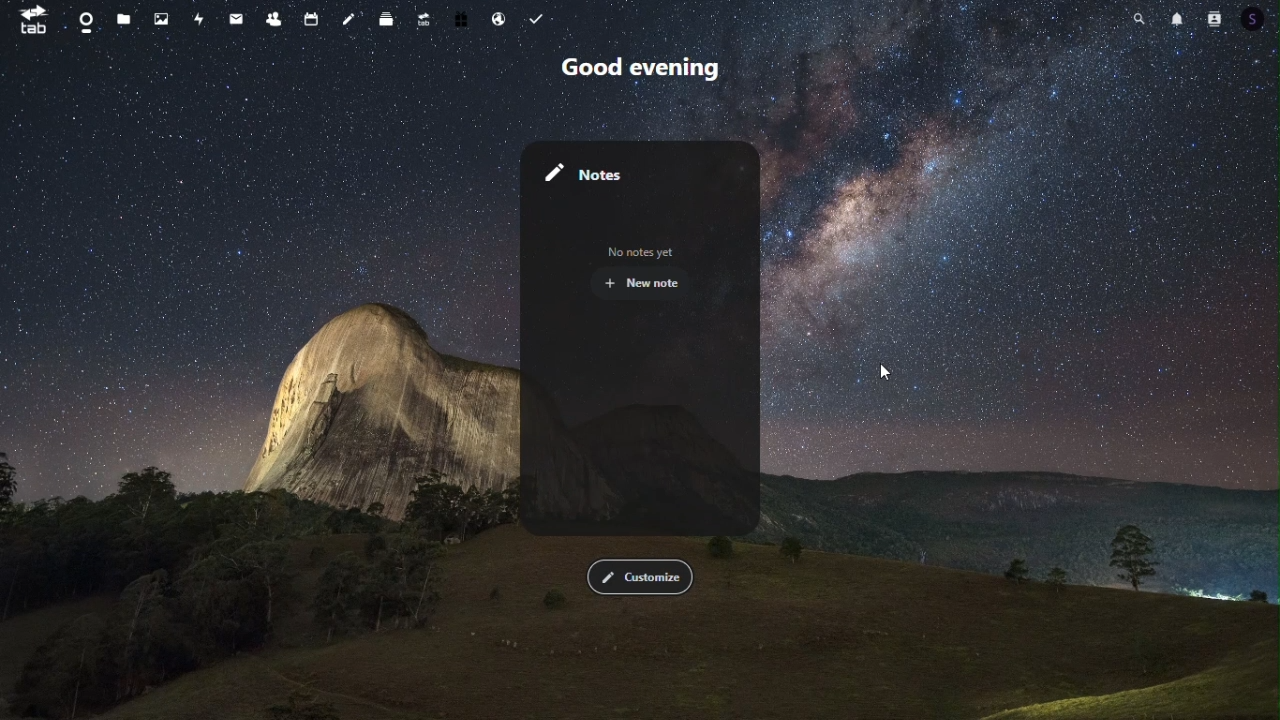 Image resolution: width=1280 pixels, height=720 pixels. I want to click on notes widget app enabled, so click(644, 341).